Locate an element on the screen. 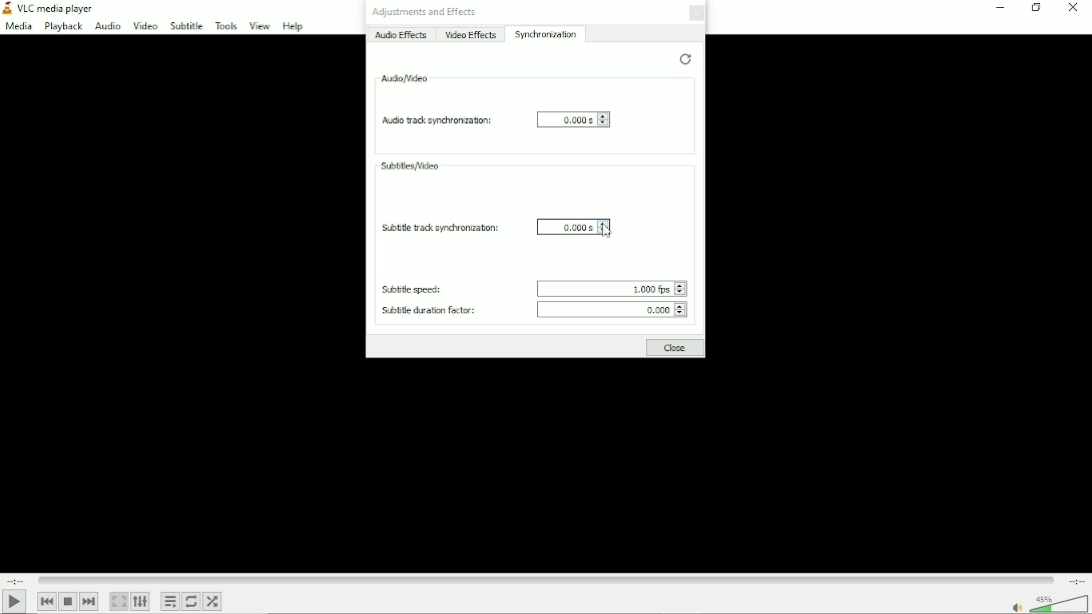 The width and height of the screenshot is (1092, 614). Volume is located at coordinates (1047, 602).